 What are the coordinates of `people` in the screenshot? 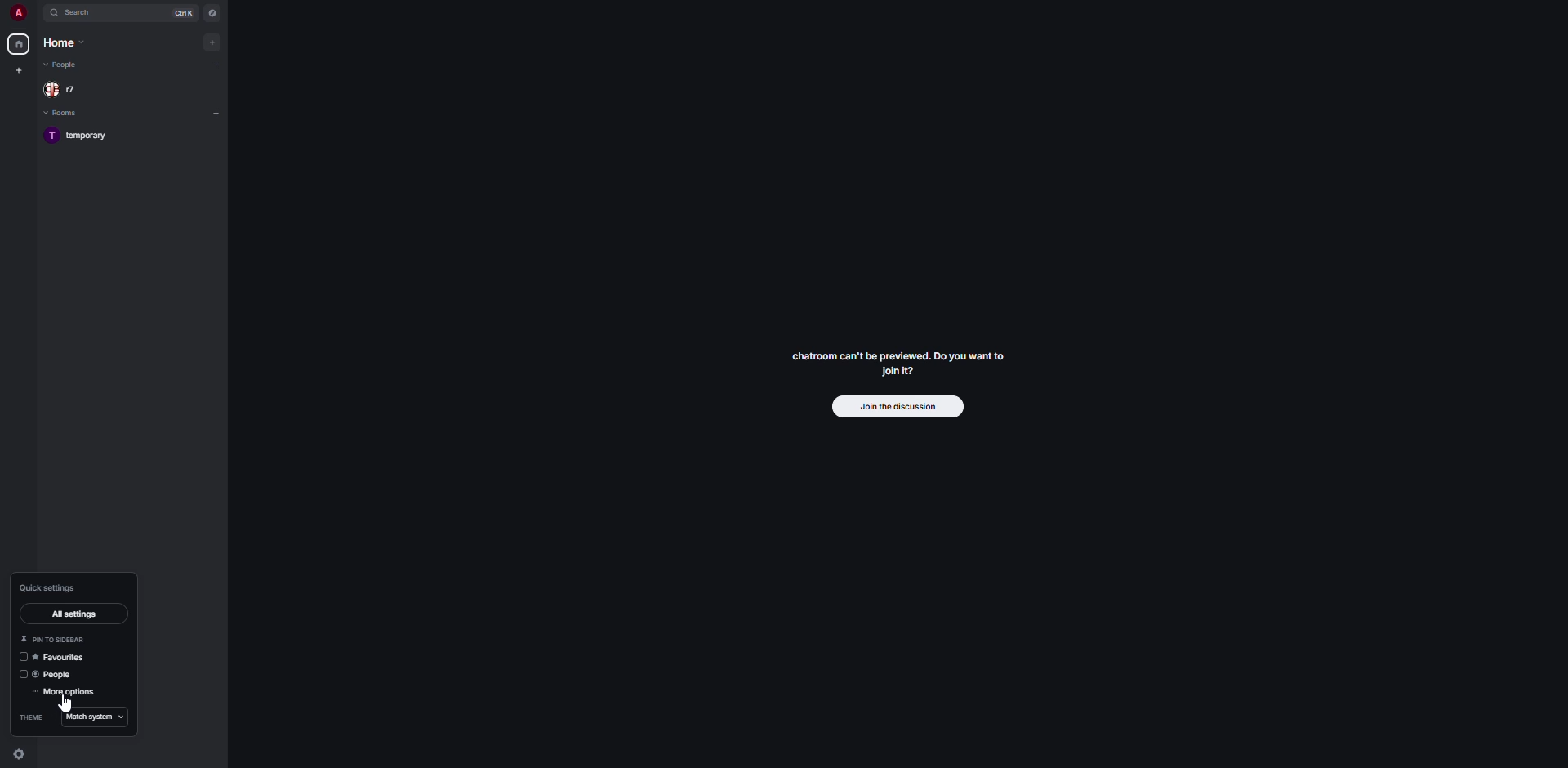 It's located at (47, 674).